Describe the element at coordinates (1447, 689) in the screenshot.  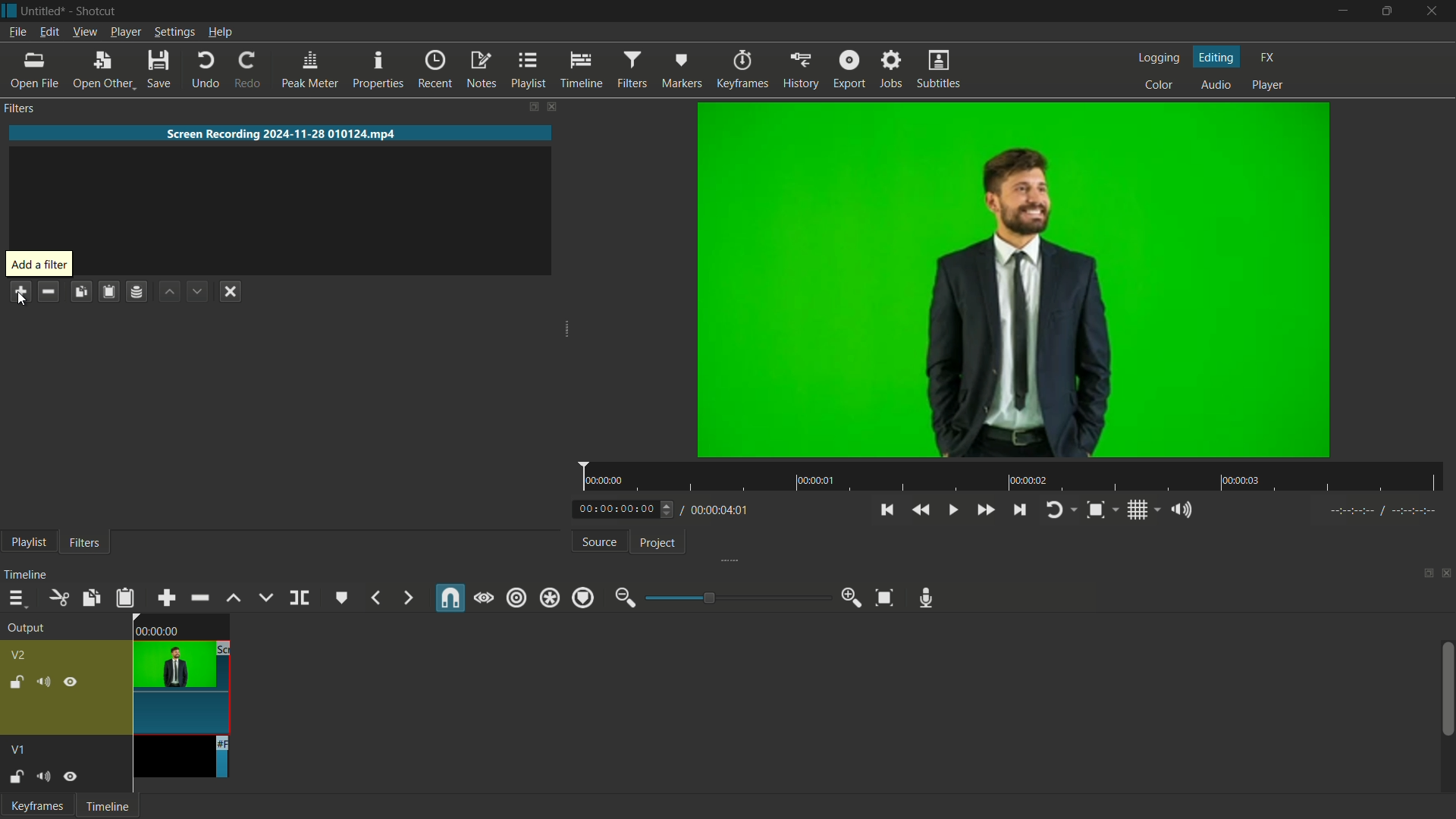
I see `scroll bar` at that location.